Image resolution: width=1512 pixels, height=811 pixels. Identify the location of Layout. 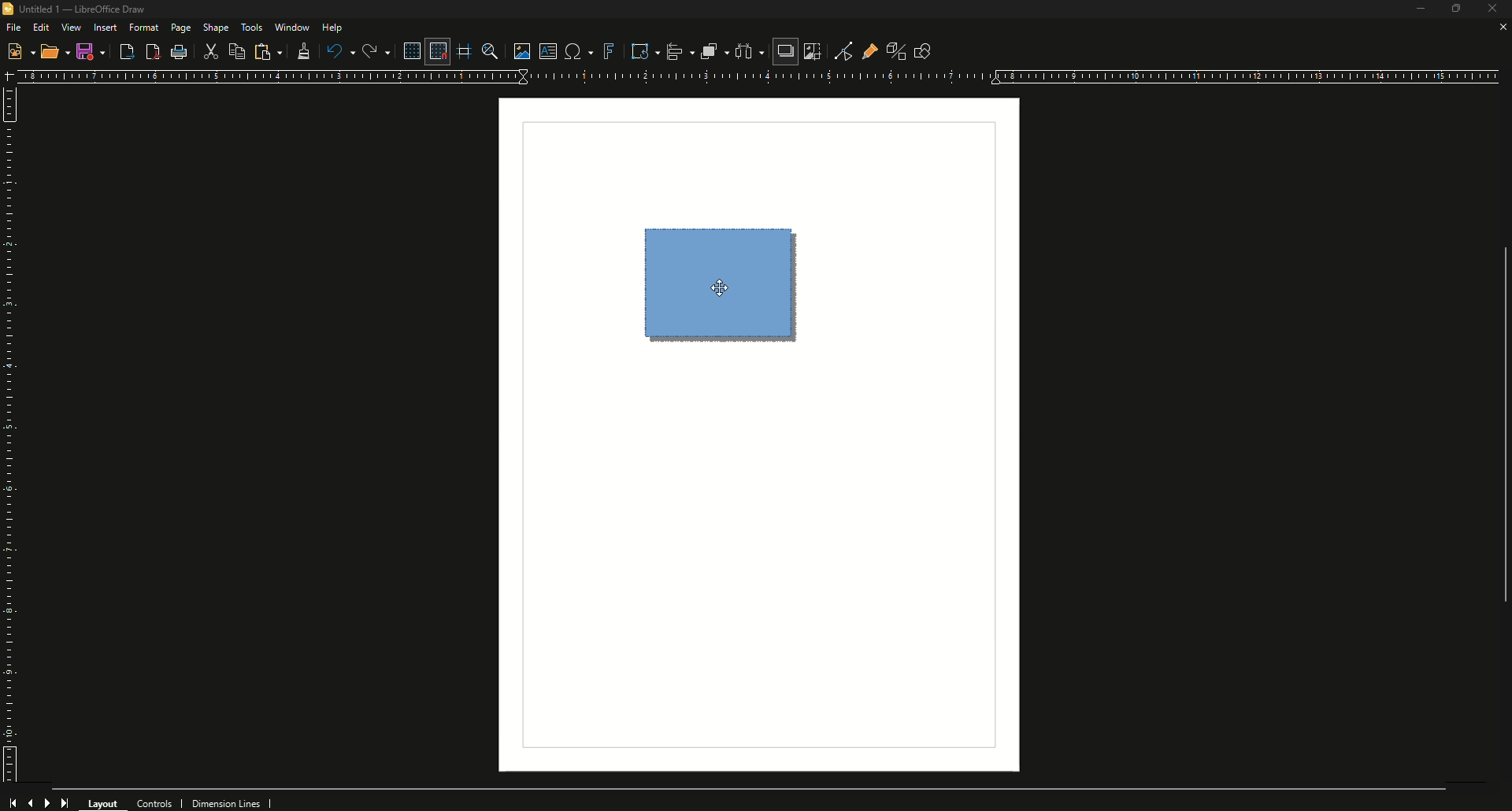
(104, 802).